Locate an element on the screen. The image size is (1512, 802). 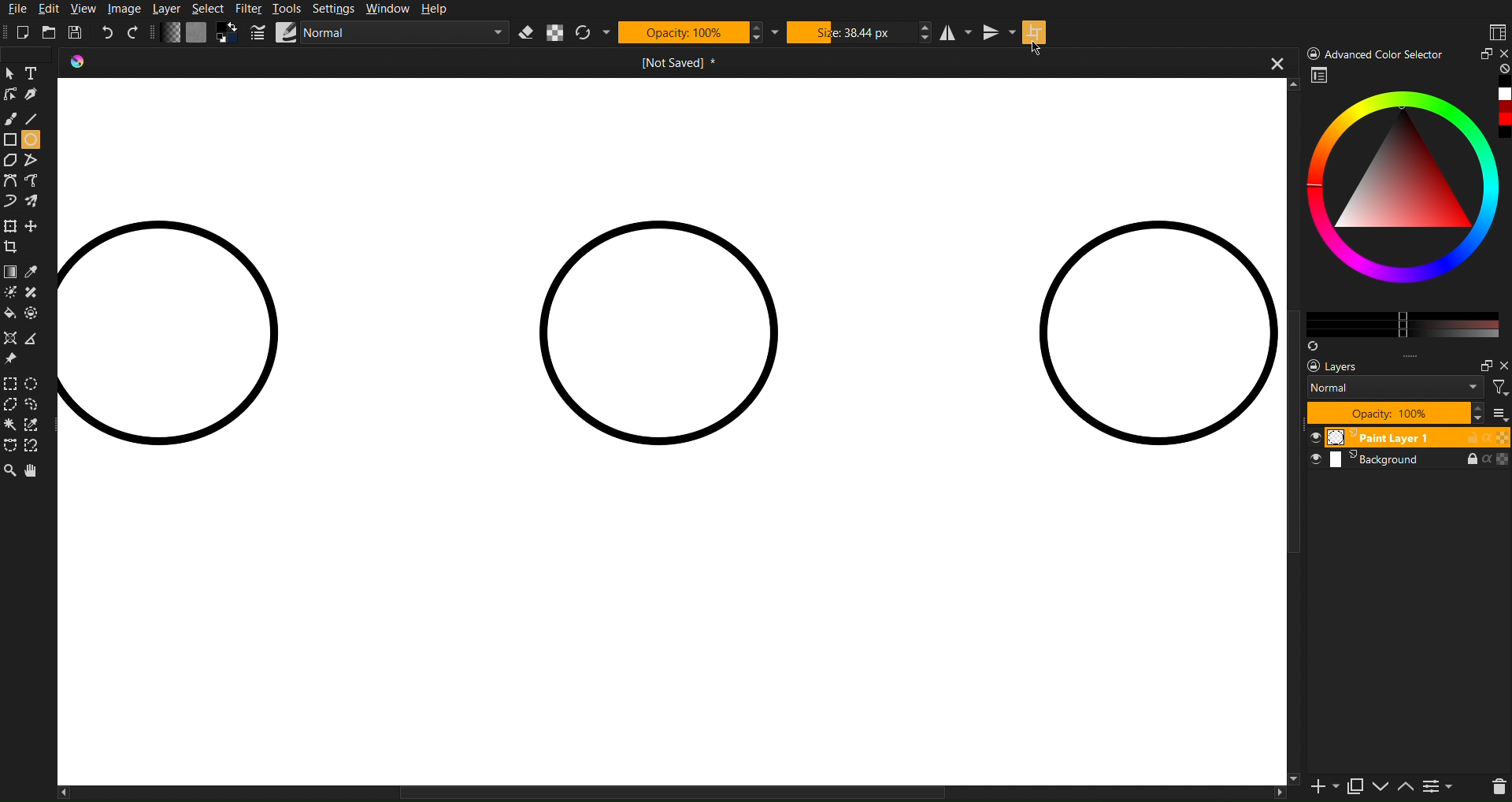
) Advanced Color Selector is located at coordinates (1369, 50).